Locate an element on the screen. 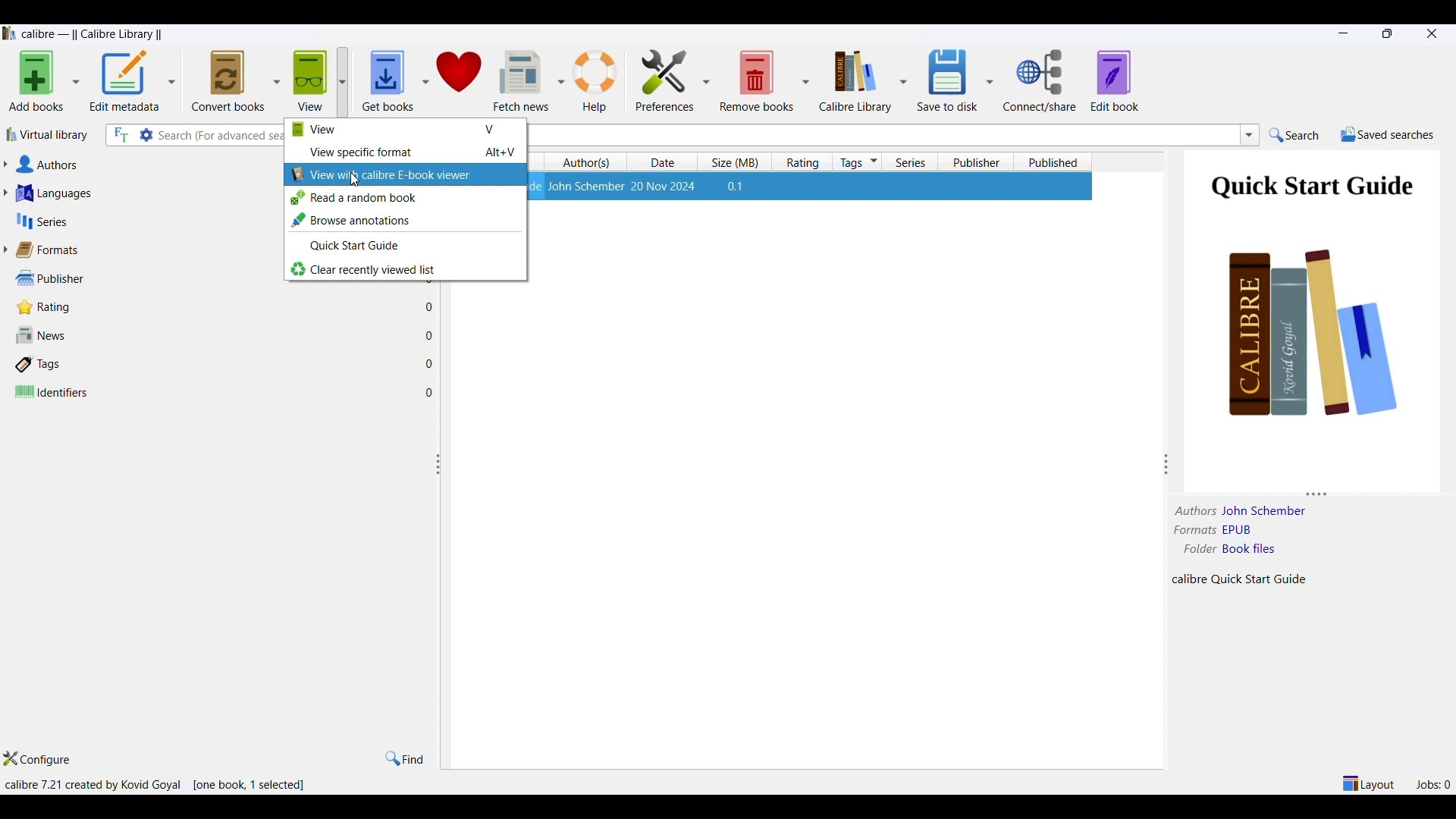 The height and width of the screenshot is (819, 1456). calibre Quick Start Guide is located at coordinates (1254, 579).